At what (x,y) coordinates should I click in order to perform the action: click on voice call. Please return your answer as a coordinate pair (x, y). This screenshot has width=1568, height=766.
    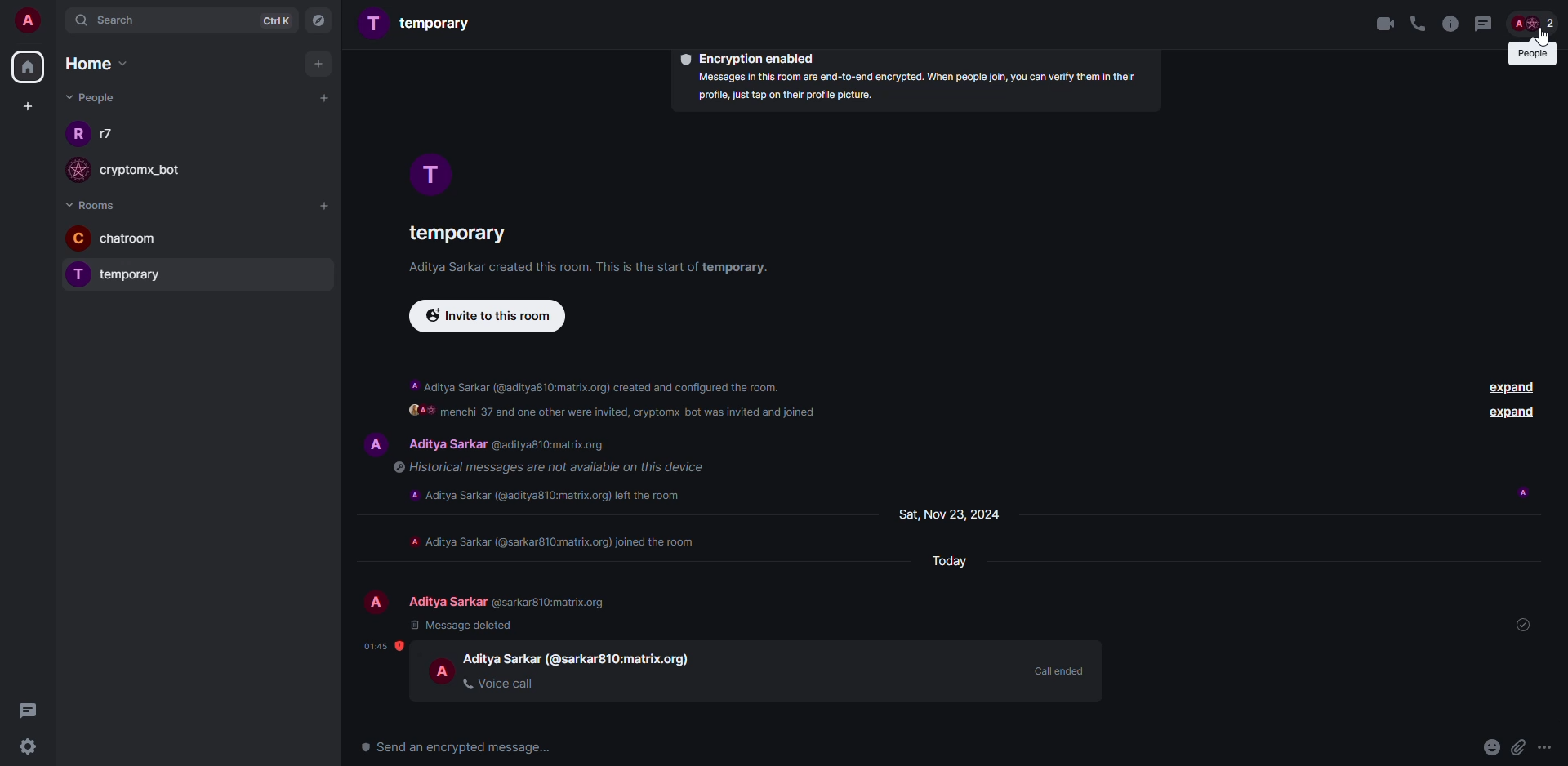
    Looking at the image, I should click on (501, 683).